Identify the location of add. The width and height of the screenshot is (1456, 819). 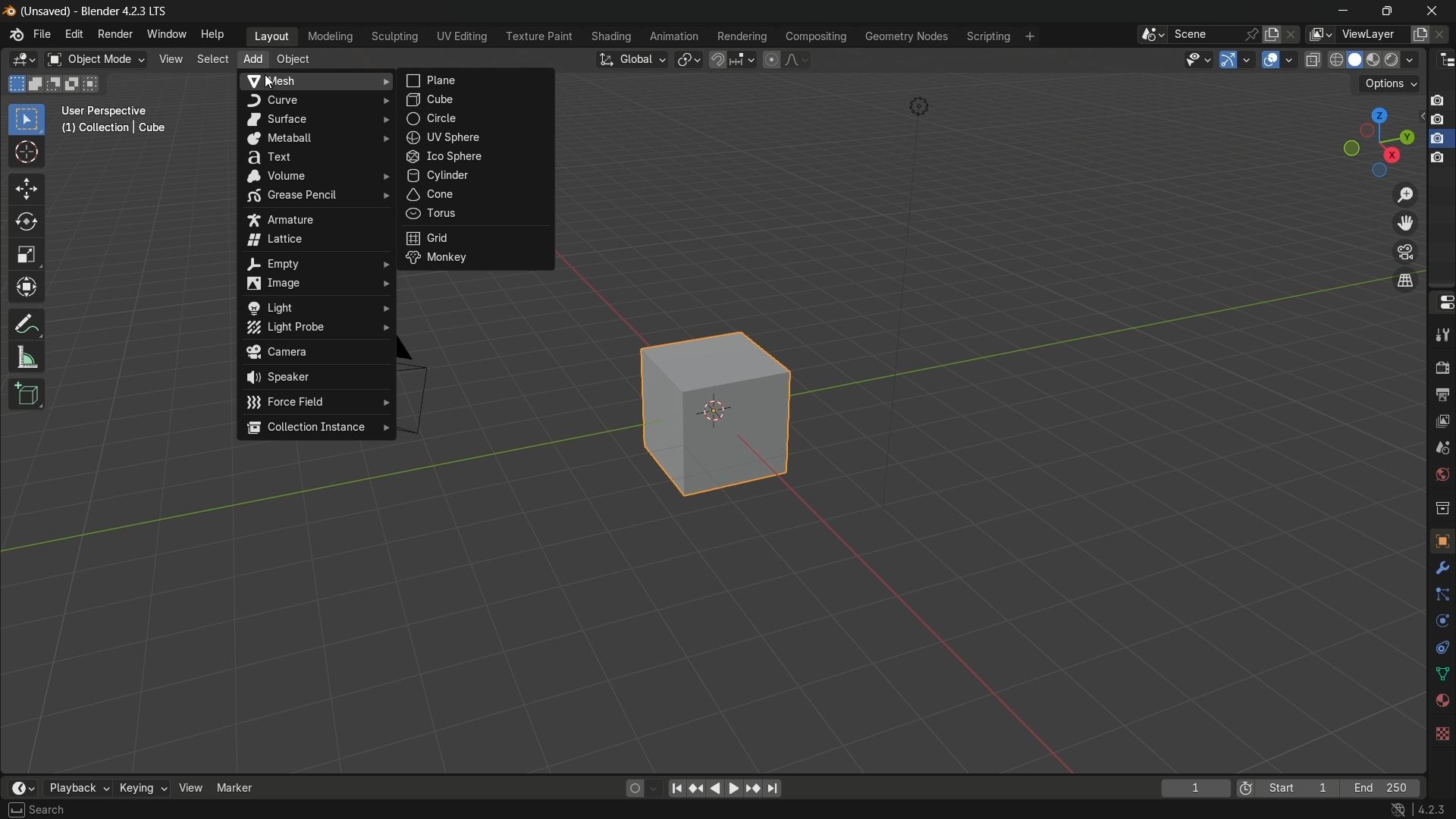
(253, 58).